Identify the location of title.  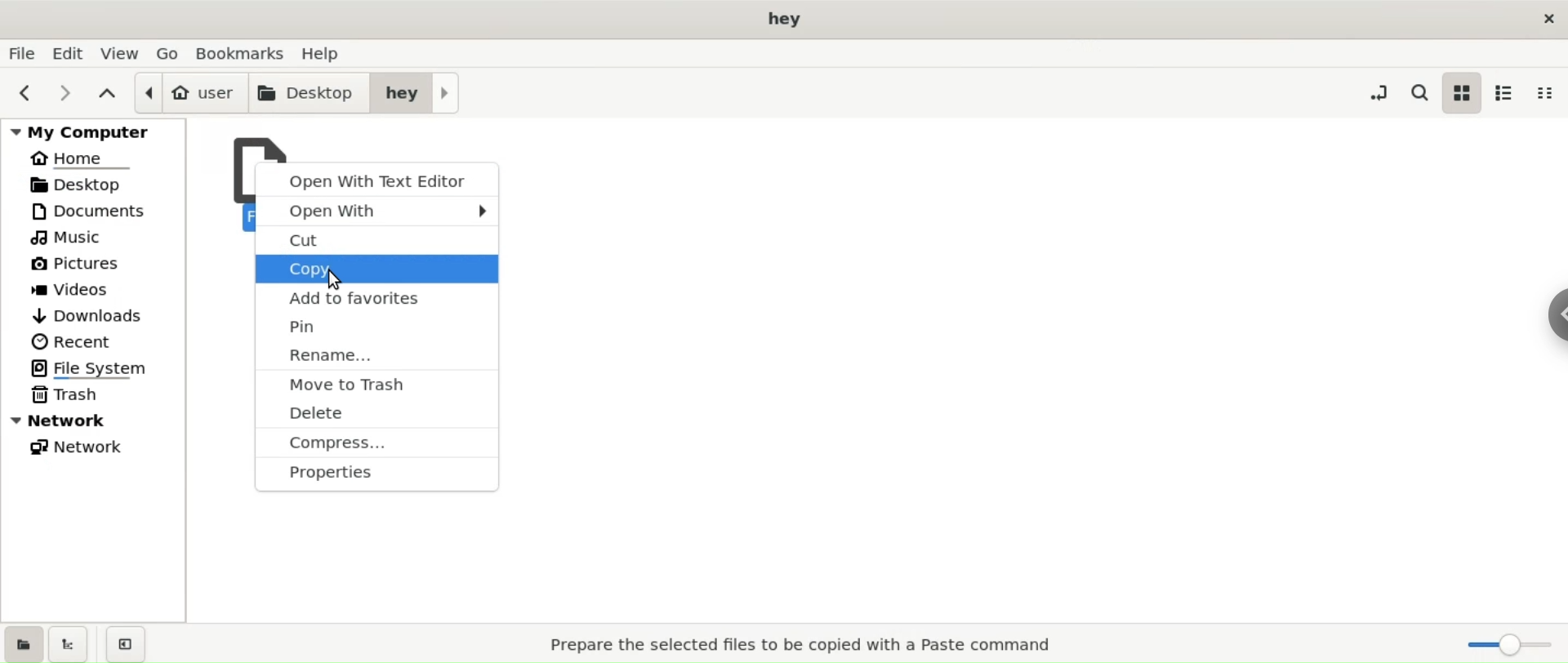
(784, 18).